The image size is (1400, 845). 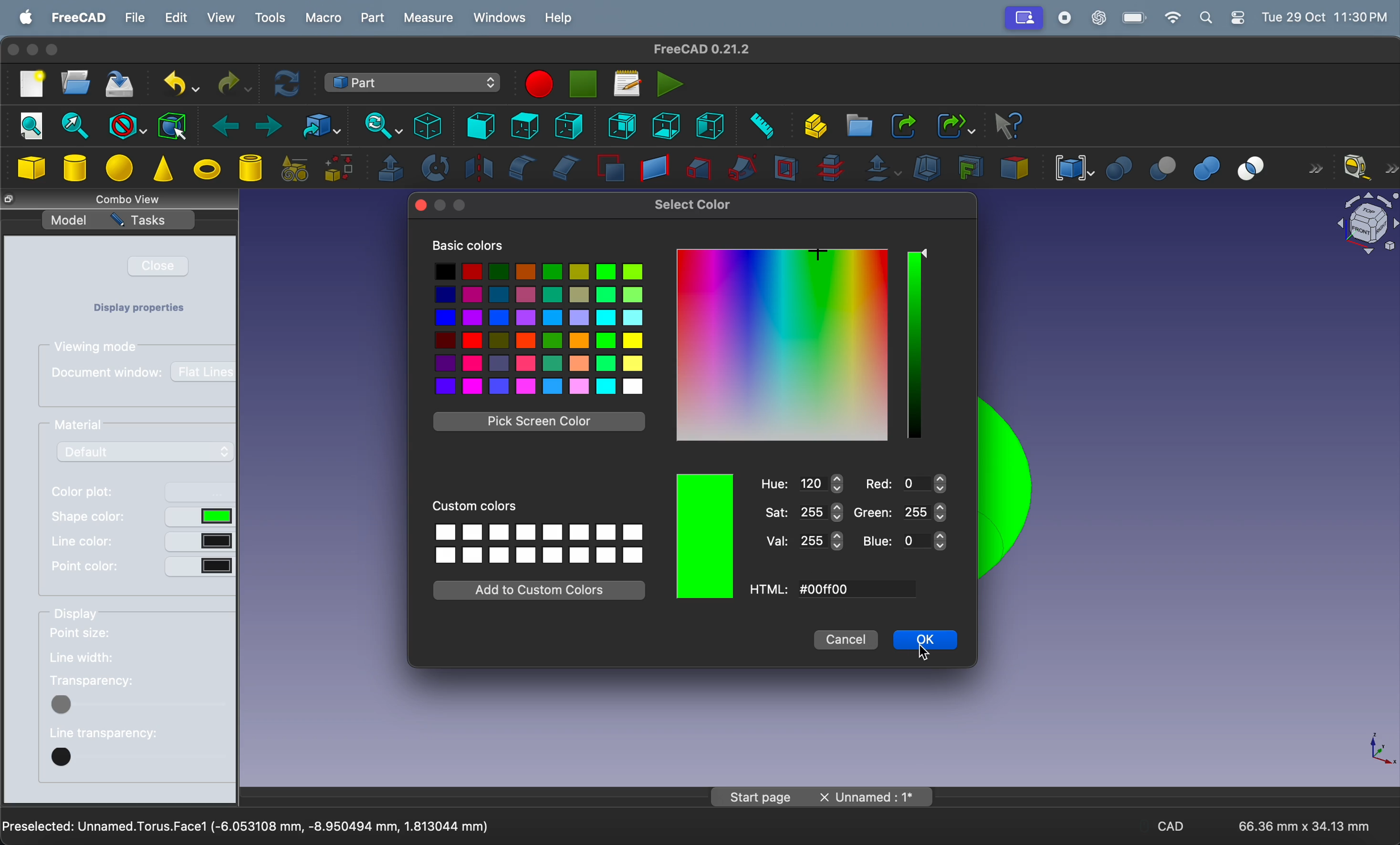 What do you see at coordinates (805, 484) in the screenshot?
I see `Hue 0` at bounding box center [805, 484].